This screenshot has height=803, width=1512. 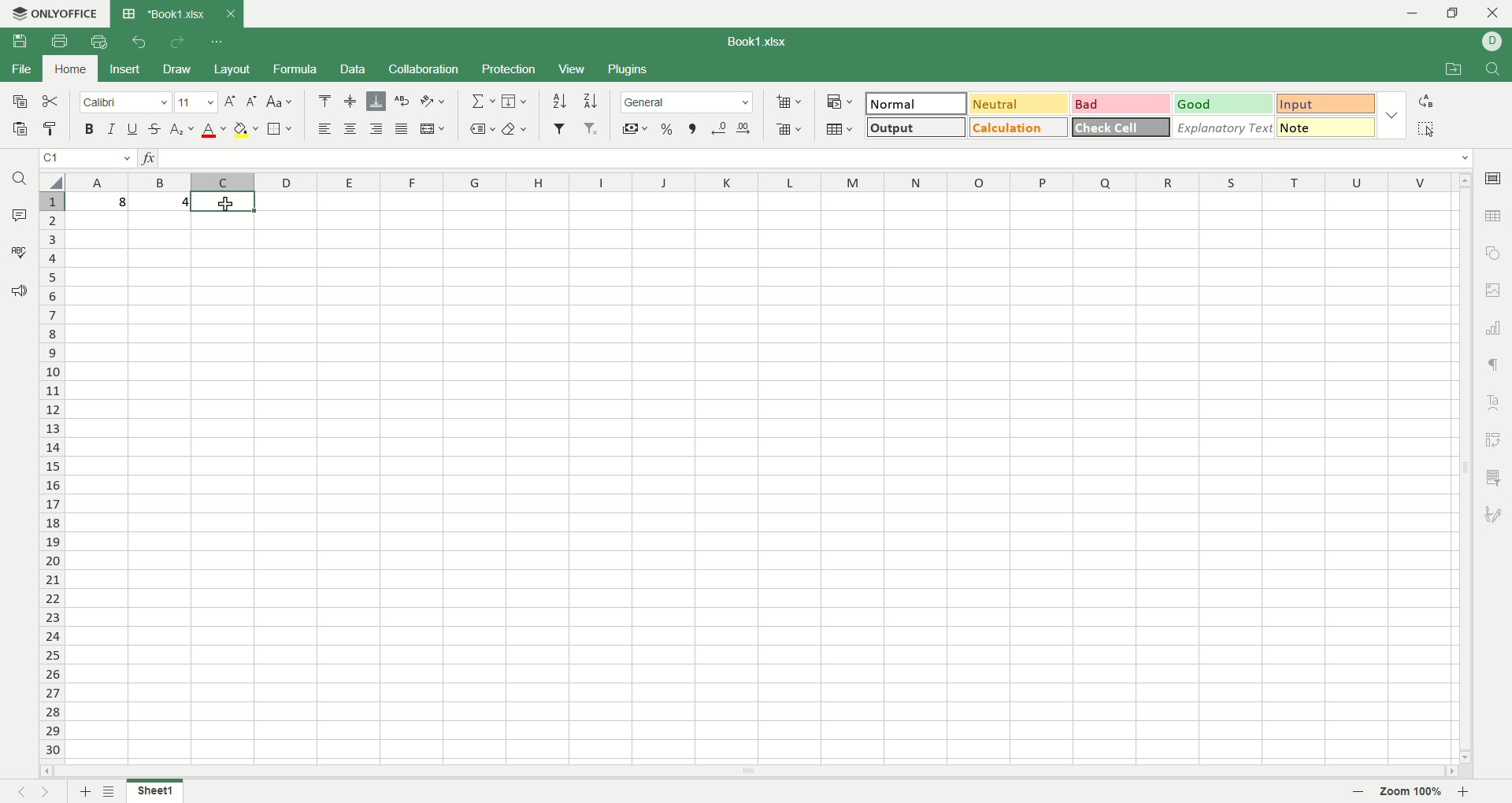 What do you see at coordinates (157, 129) in the screenshot?
I see `strikethrough` at bounding box center [157, 129].